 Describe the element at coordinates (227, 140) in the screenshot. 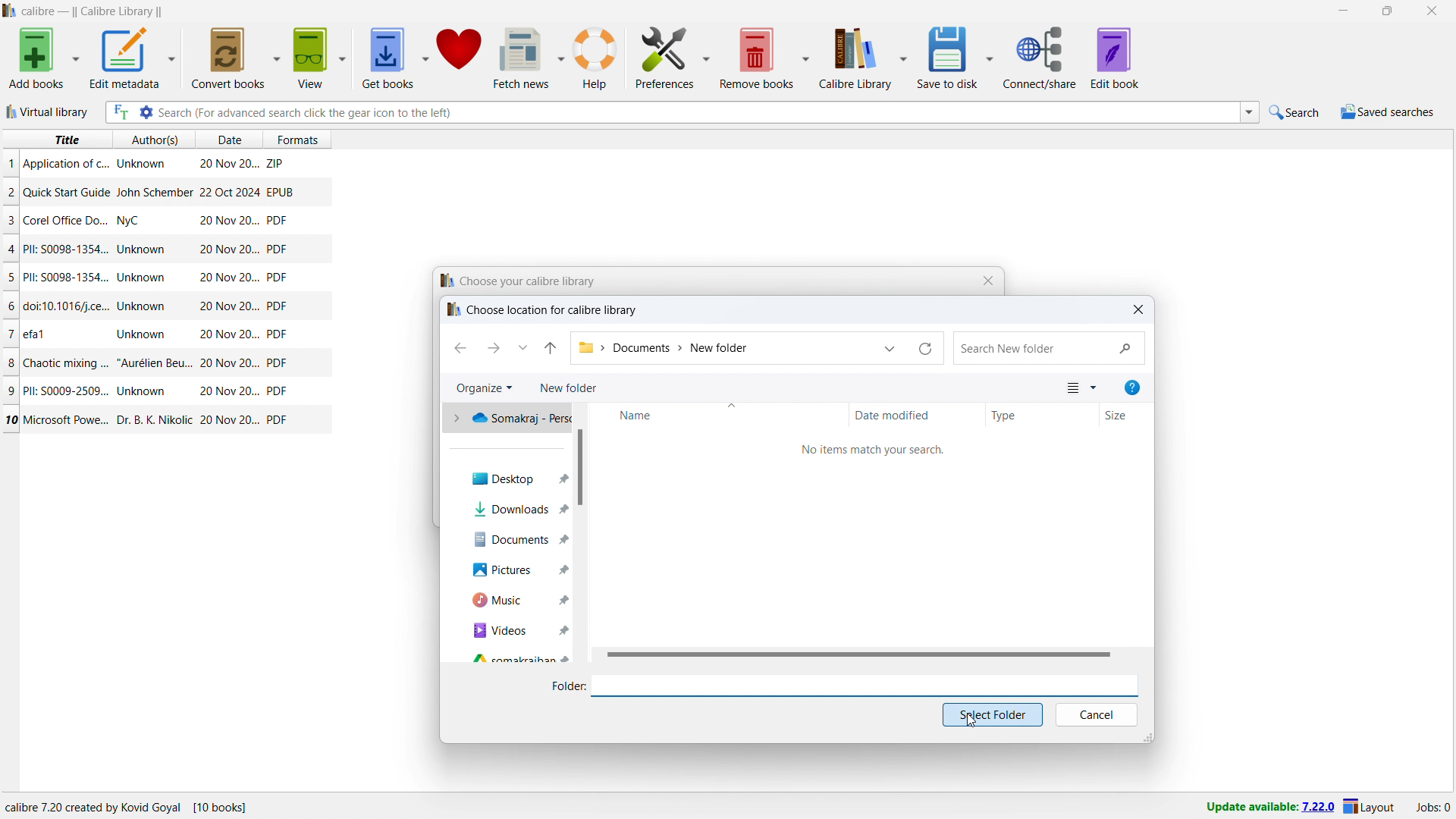

I see `date` at that location.